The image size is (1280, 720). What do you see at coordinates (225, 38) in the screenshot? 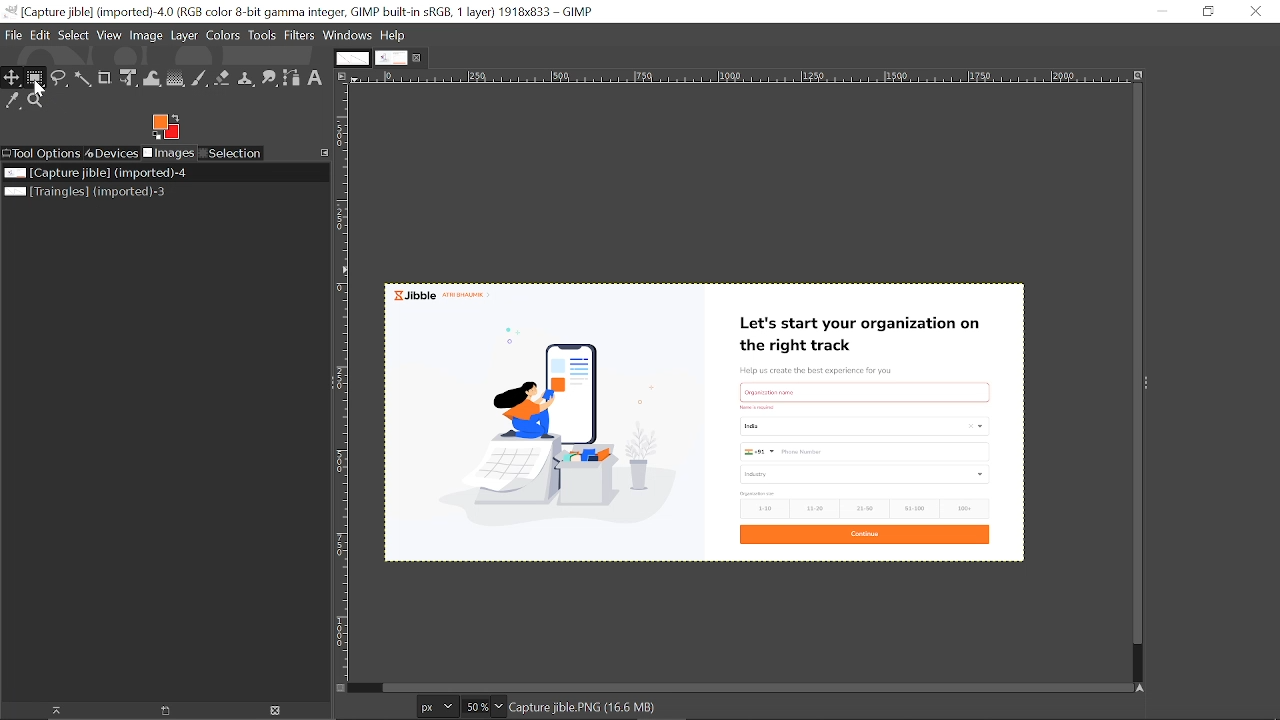
I see `Colors` at bounding box center [225, 38].